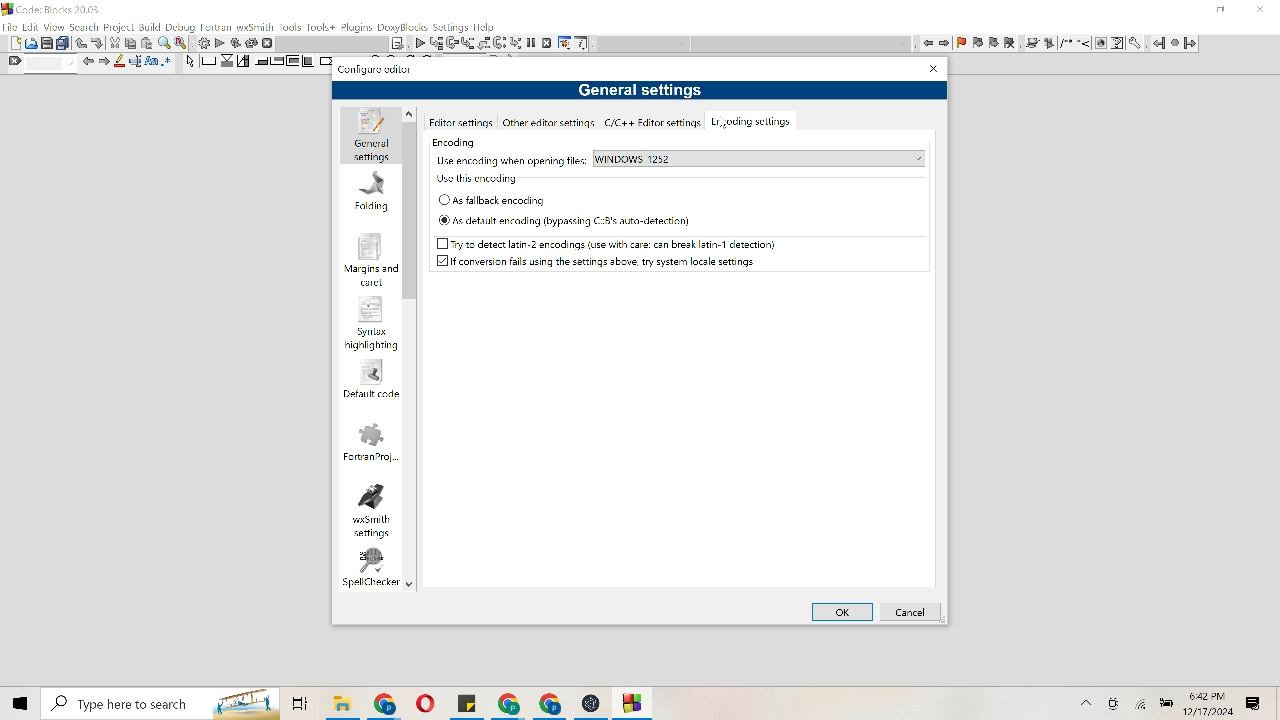 This screenshot has width=1280, height=720. Describe the element at coordinates (217, 28) in the screenshot. I see `Fortran` at that location.